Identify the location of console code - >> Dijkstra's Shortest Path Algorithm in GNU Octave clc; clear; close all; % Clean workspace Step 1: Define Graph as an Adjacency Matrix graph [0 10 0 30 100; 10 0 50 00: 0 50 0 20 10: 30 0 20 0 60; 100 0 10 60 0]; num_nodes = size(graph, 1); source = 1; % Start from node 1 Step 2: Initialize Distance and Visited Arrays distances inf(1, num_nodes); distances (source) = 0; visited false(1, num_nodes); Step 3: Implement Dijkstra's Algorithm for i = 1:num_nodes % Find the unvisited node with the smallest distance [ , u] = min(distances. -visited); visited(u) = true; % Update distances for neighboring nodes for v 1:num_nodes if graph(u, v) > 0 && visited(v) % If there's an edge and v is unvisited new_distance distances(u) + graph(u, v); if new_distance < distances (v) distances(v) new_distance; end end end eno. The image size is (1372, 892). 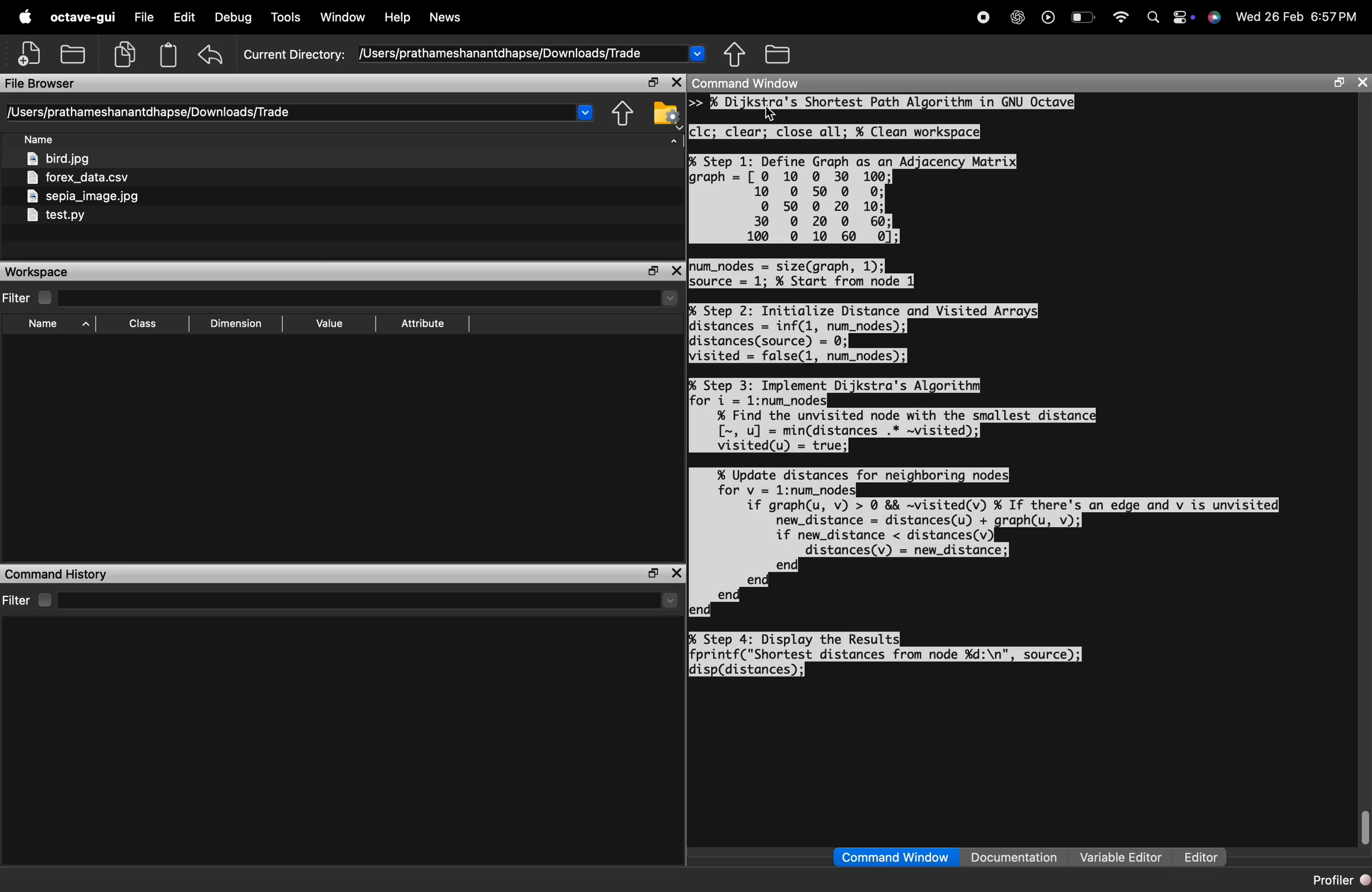
(987, 390).